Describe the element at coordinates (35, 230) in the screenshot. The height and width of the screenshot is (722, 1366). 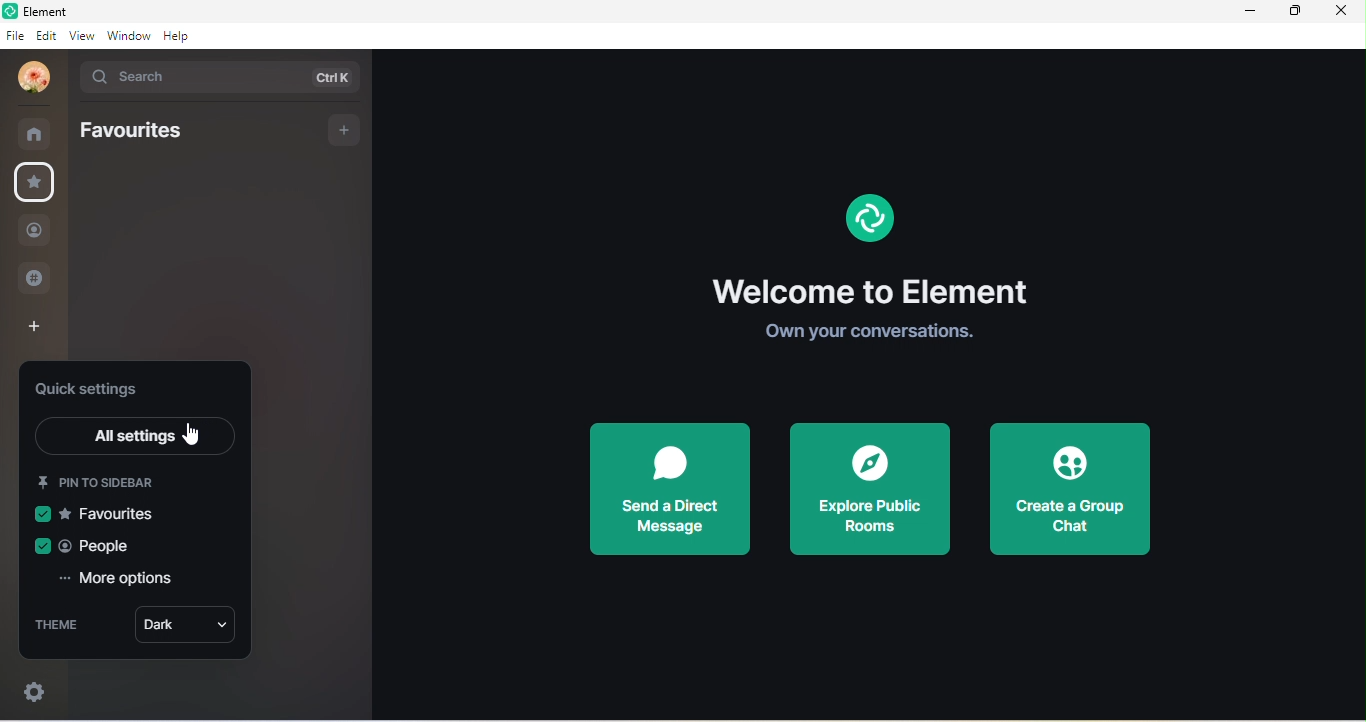
I see `people` at that location.